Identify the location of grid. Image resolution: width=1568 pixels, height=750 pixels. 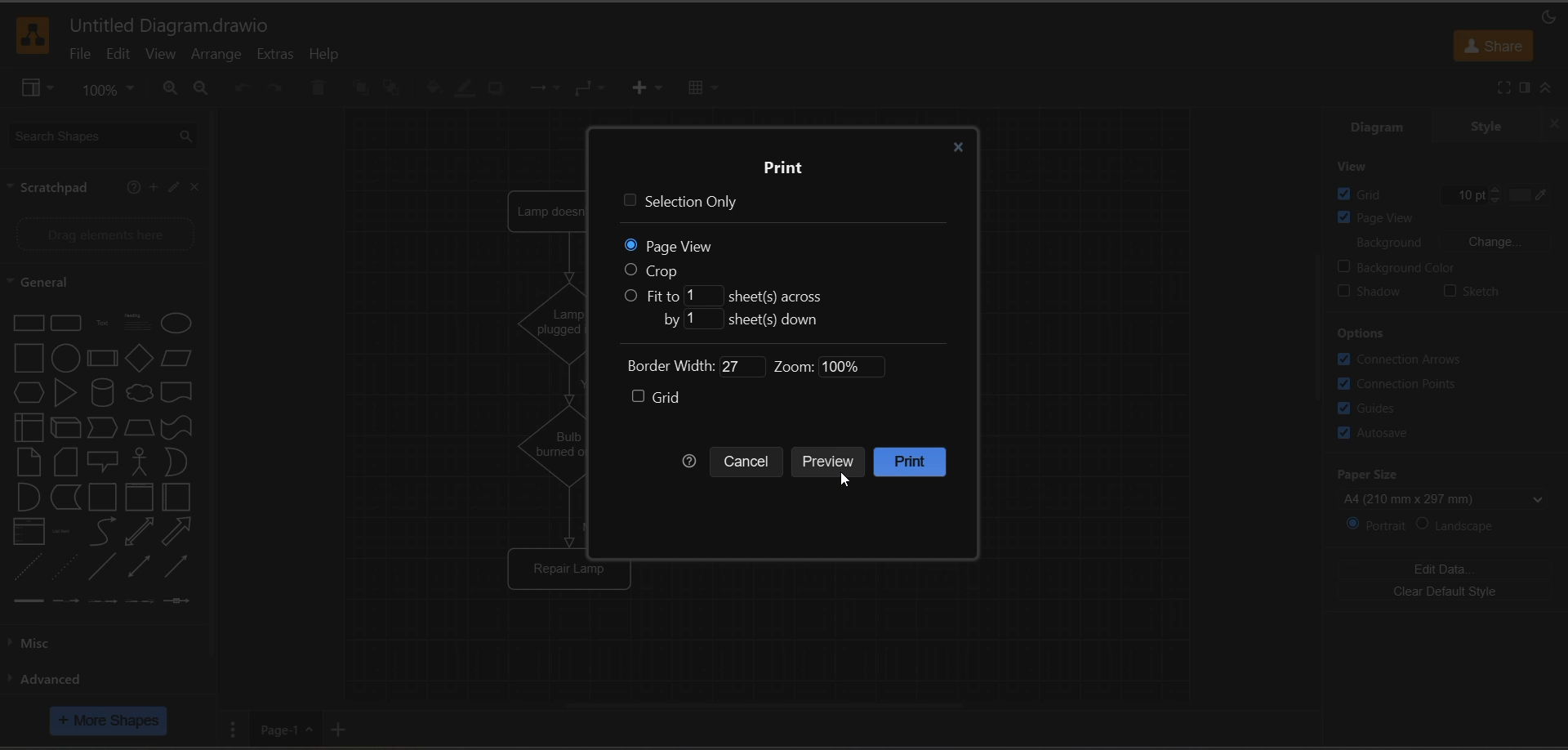
(1443, 192).